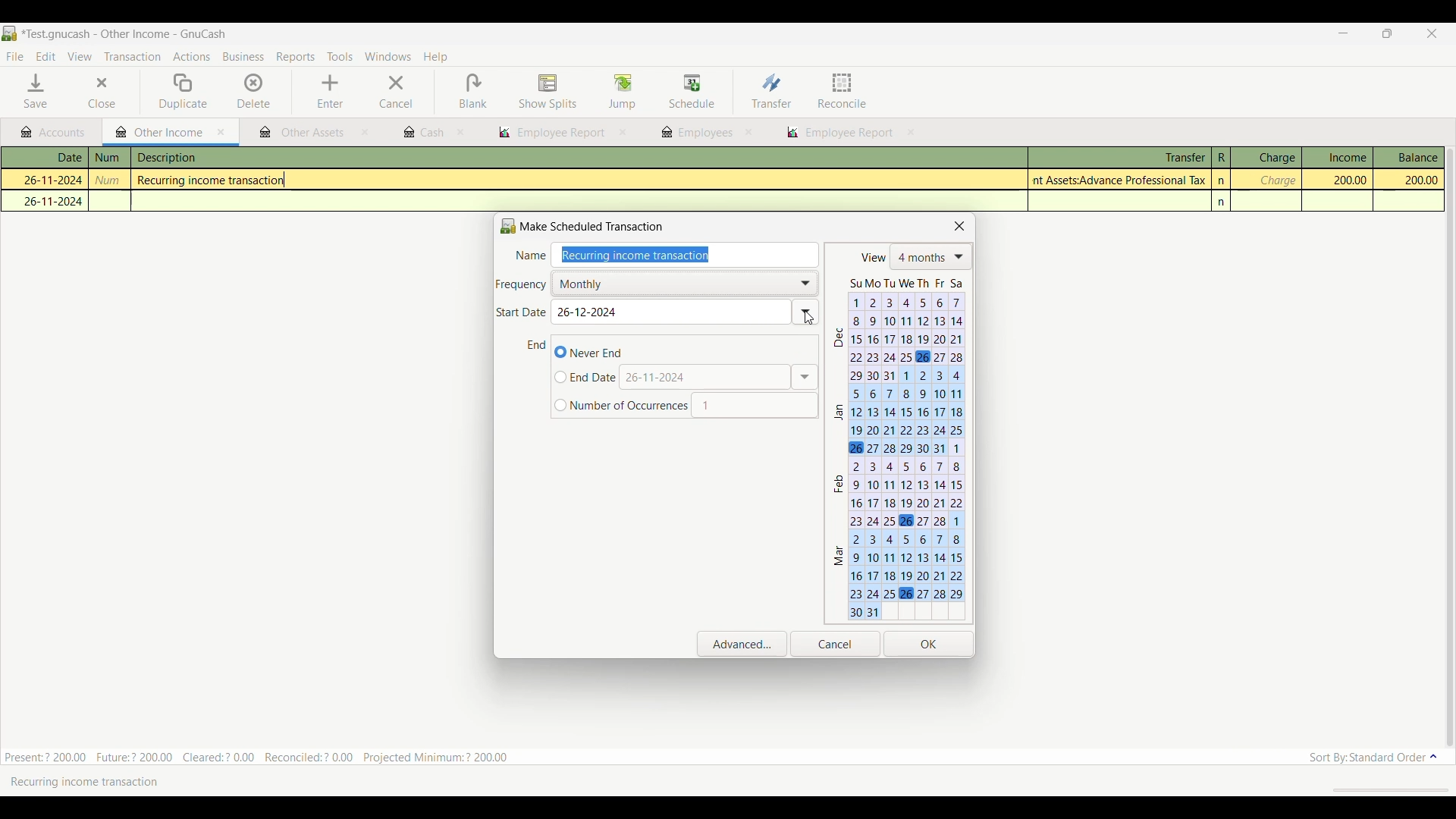  What do you see at coordinates (303, 133) in the screenshot?
I see `other assets` at bounding box center [303, 133].